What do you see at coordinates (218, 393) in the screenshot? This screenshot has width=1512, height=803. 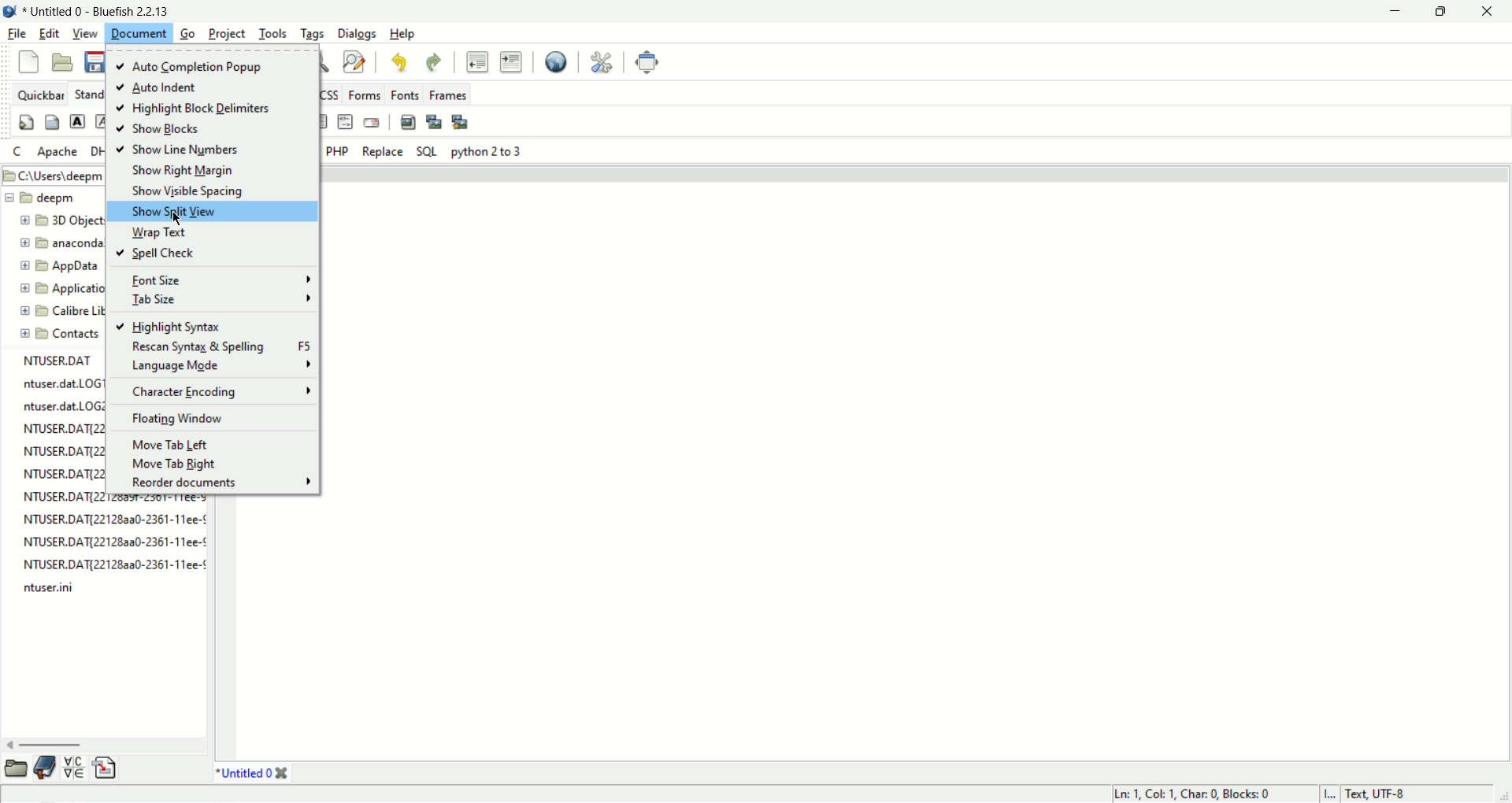 I see `character encoding` at bounding box center [218, 393].